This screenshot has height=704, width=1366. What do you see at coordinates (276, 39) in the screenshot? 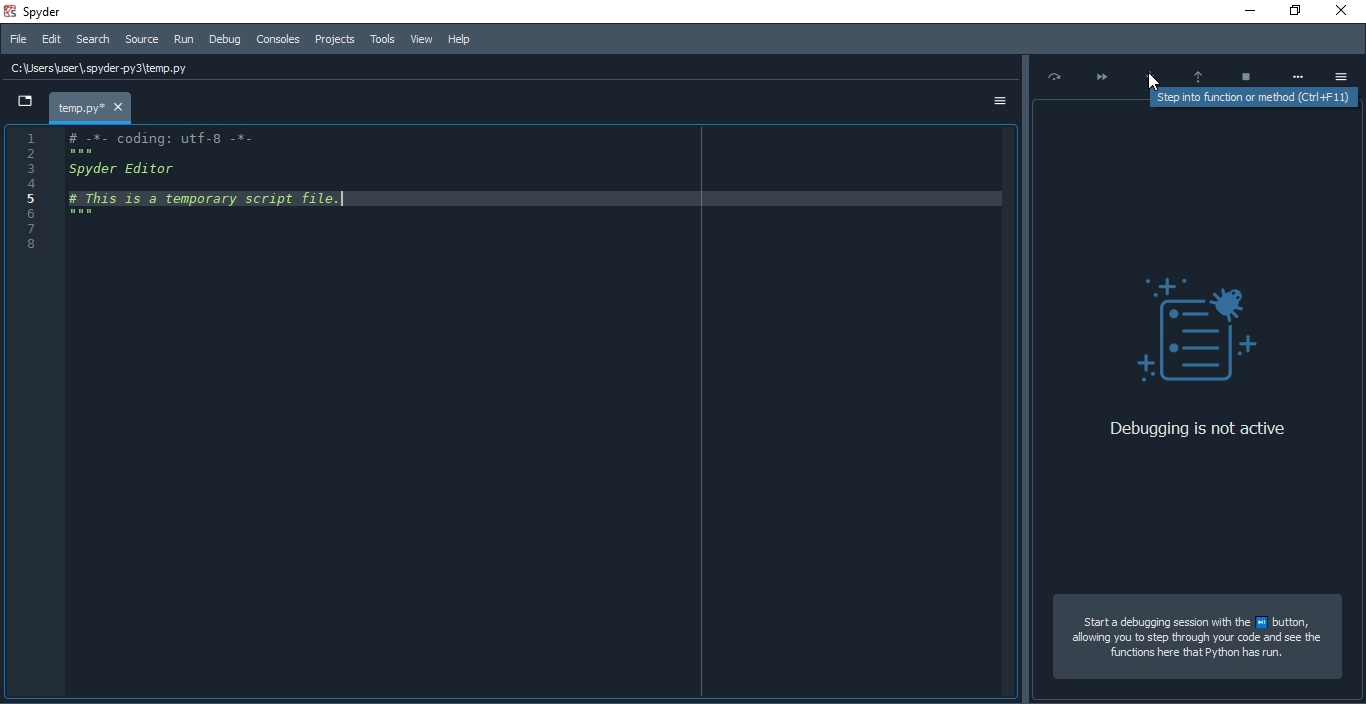
I see `Consoles` at bounding box center [276, 39].